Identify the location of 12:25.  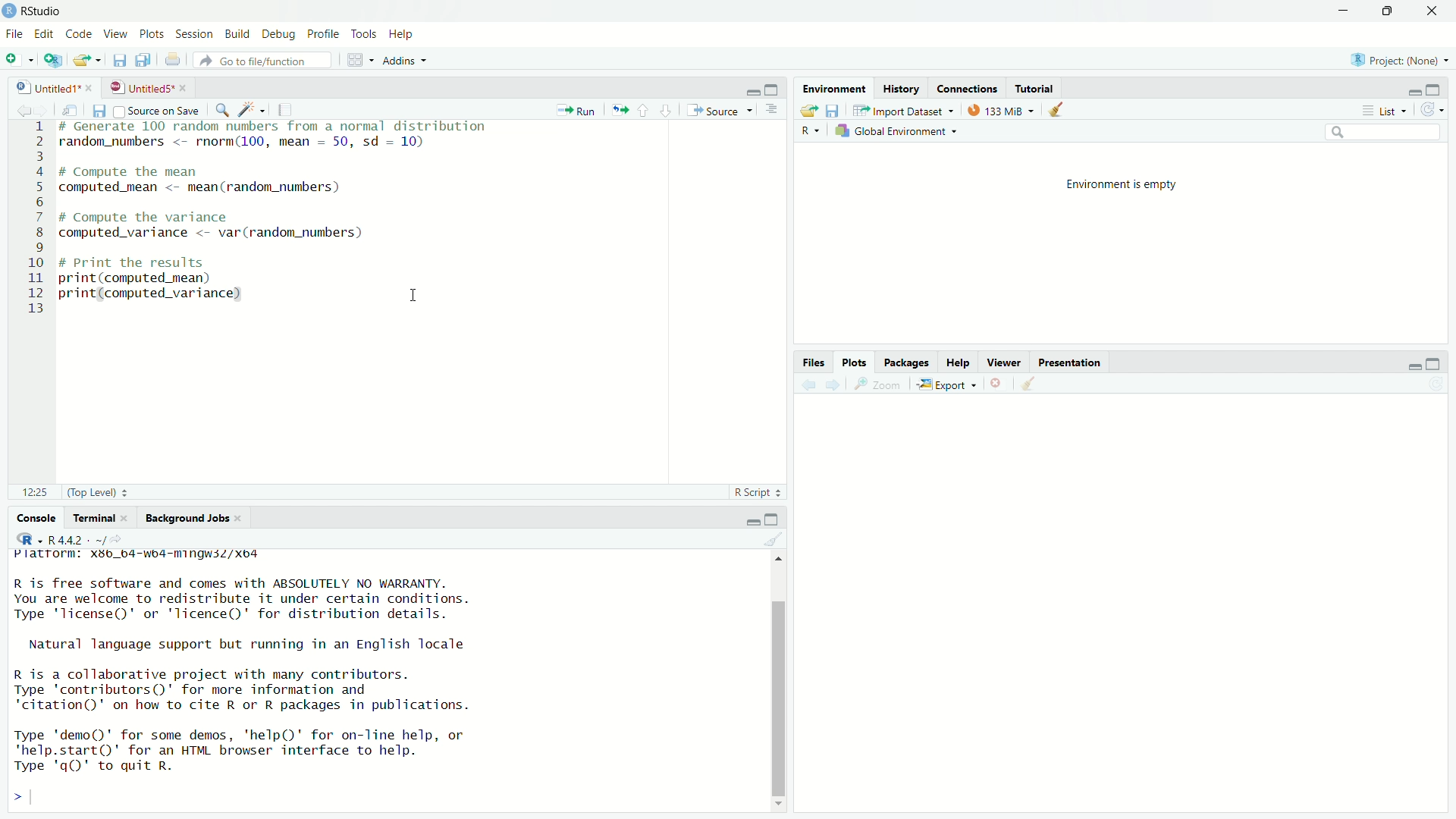
(30, 493).